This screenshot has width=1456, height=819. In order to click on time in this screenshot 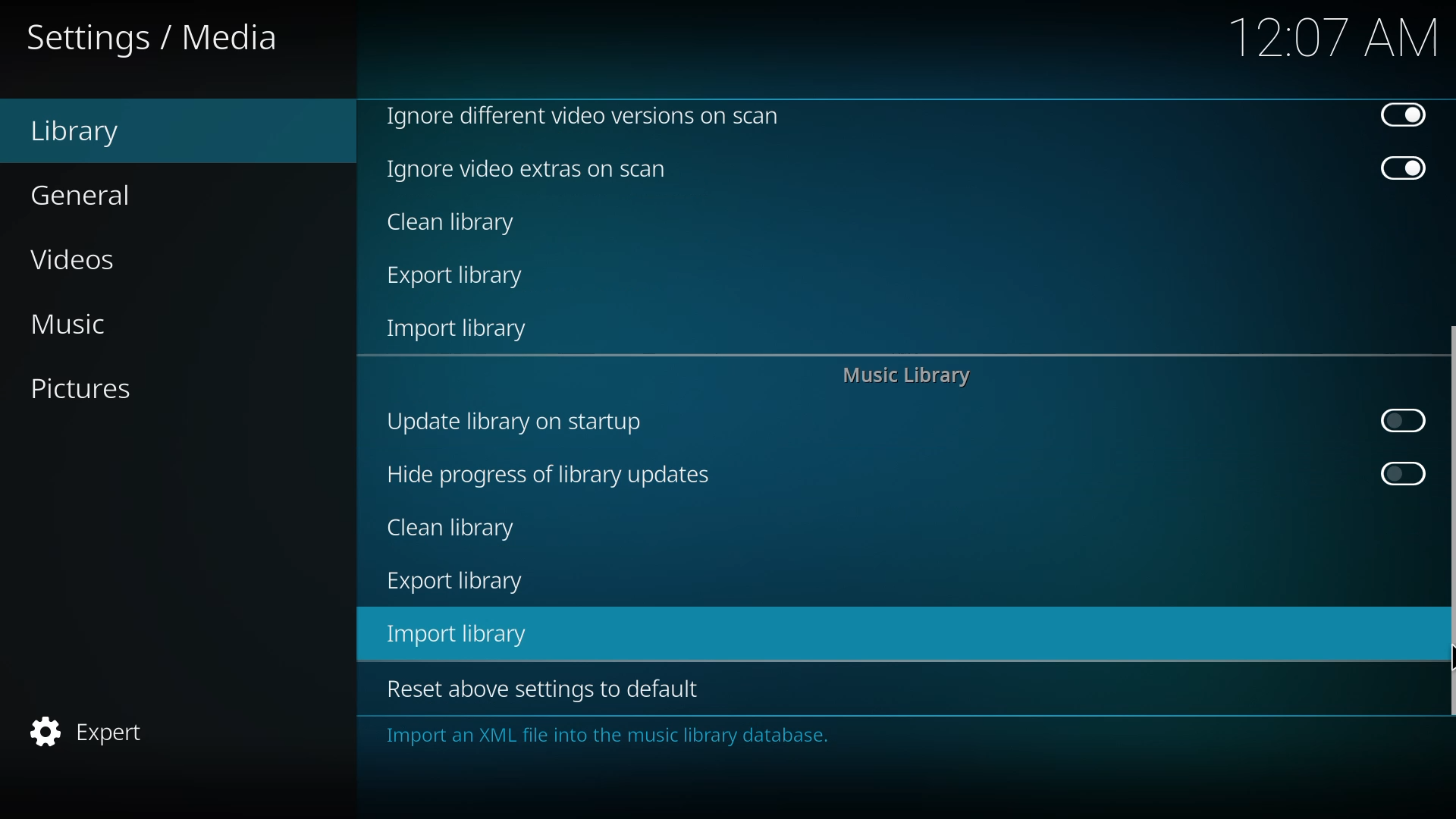, I will do `click(1335, 36)`.